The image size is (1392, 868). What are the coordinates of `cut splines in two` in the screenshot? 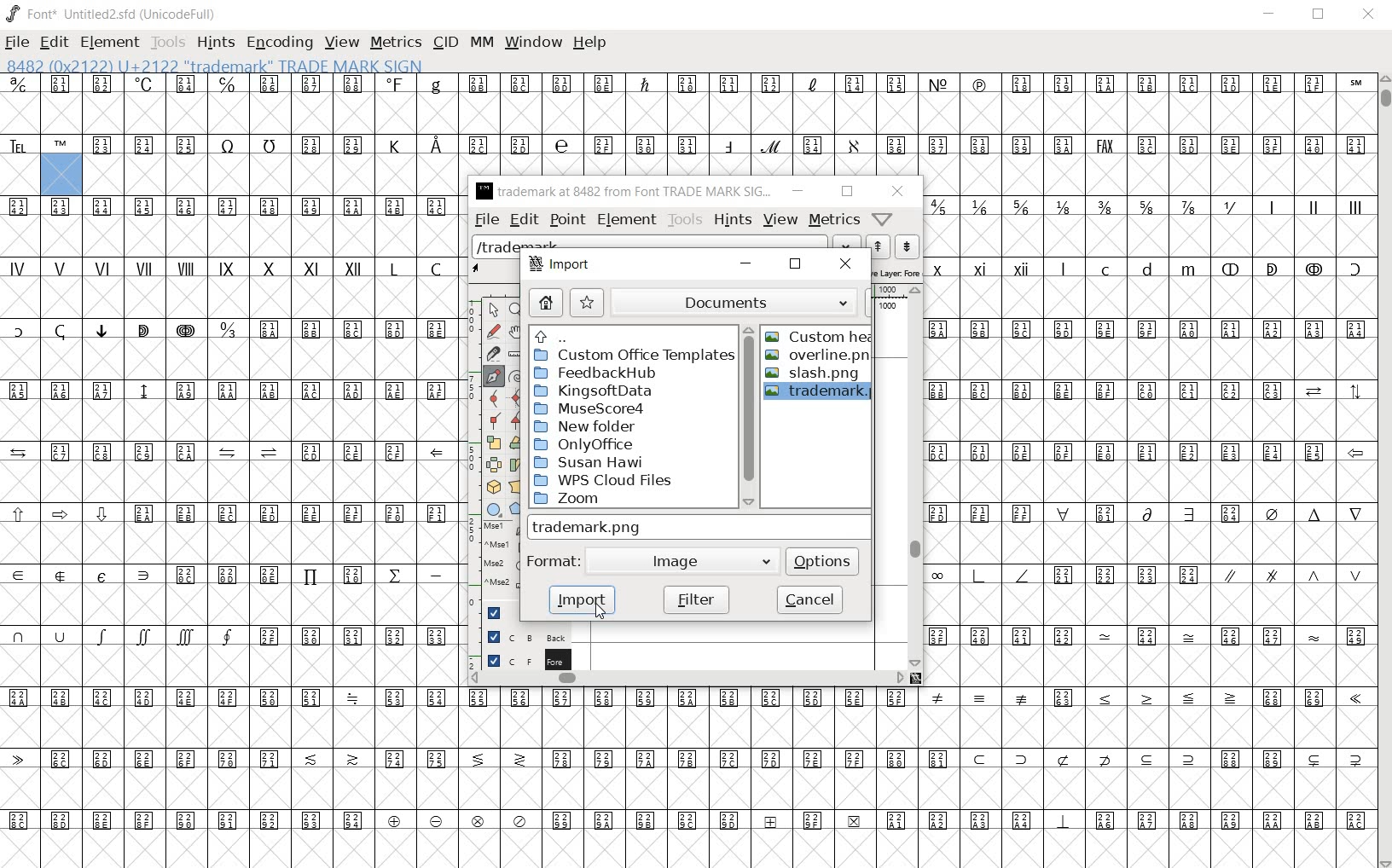 It's located at (491, 353).